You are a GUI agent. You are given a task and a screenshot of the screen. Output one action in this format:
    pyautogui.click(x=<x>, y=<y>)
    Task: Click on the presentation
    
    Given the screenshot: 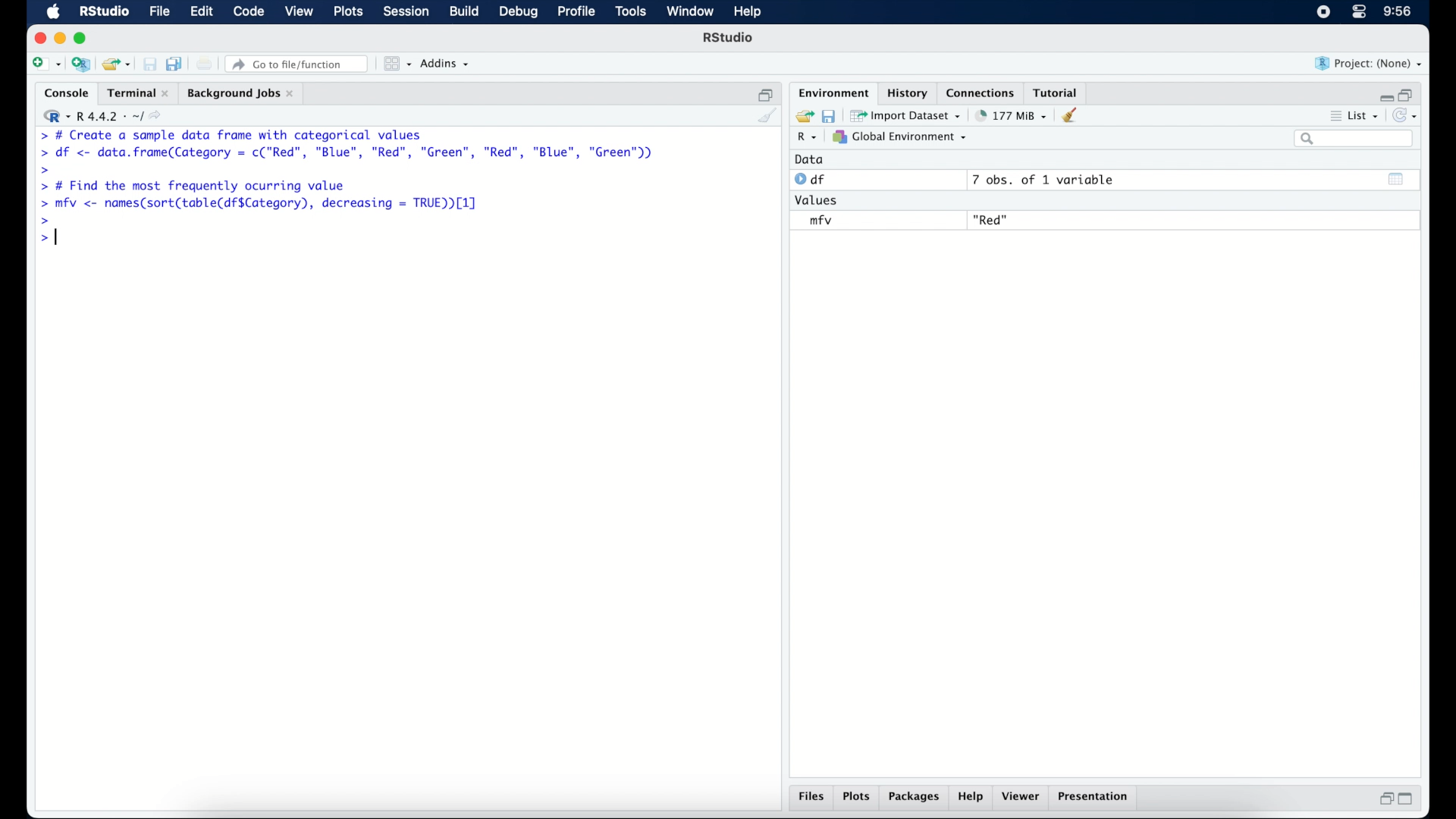 What is the action you would take?
    pyautogui.click(x=1097, y=798)
    